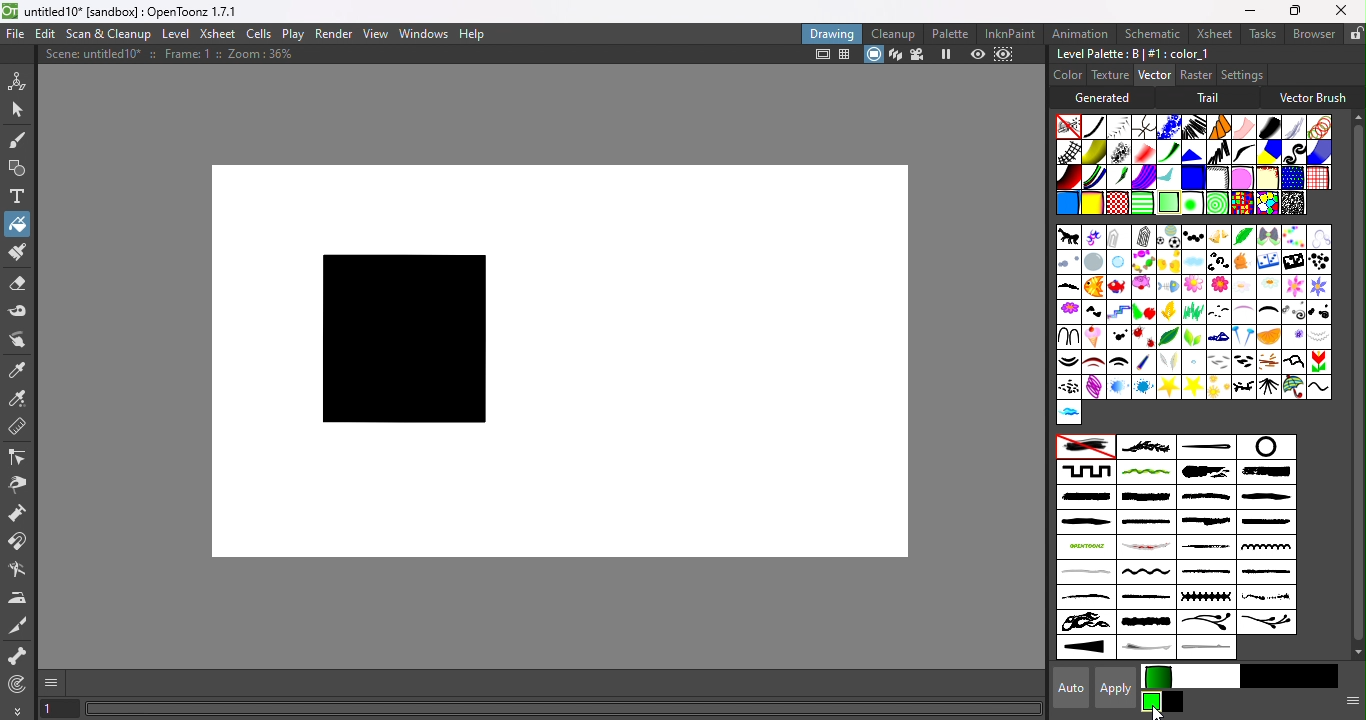  I want to click on star, so click(1168, 387).